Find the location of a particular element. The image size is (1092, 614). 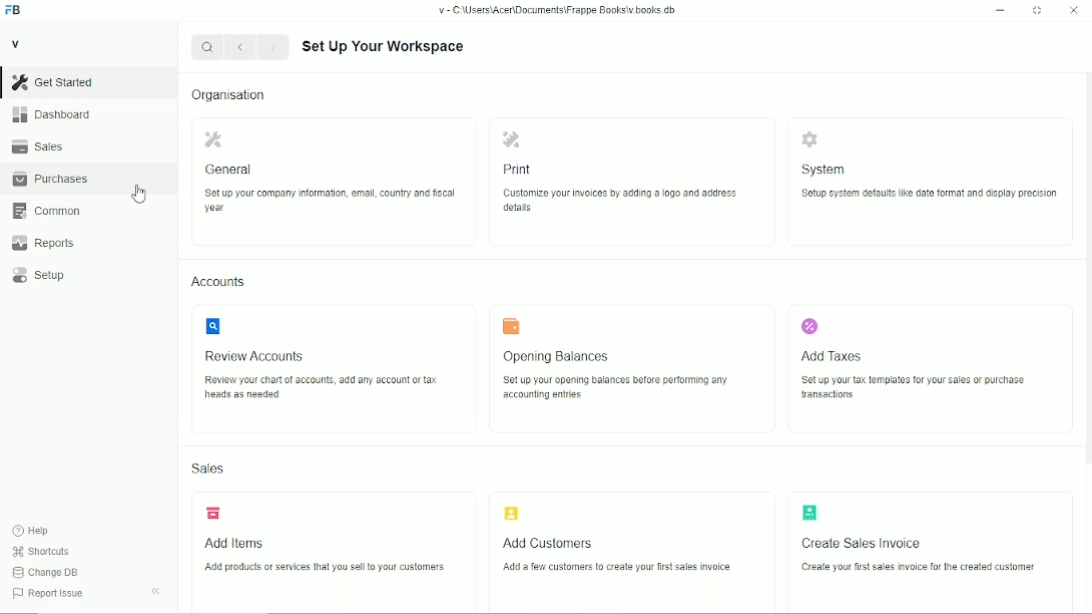

Close is located at coordinates (1074, 9).